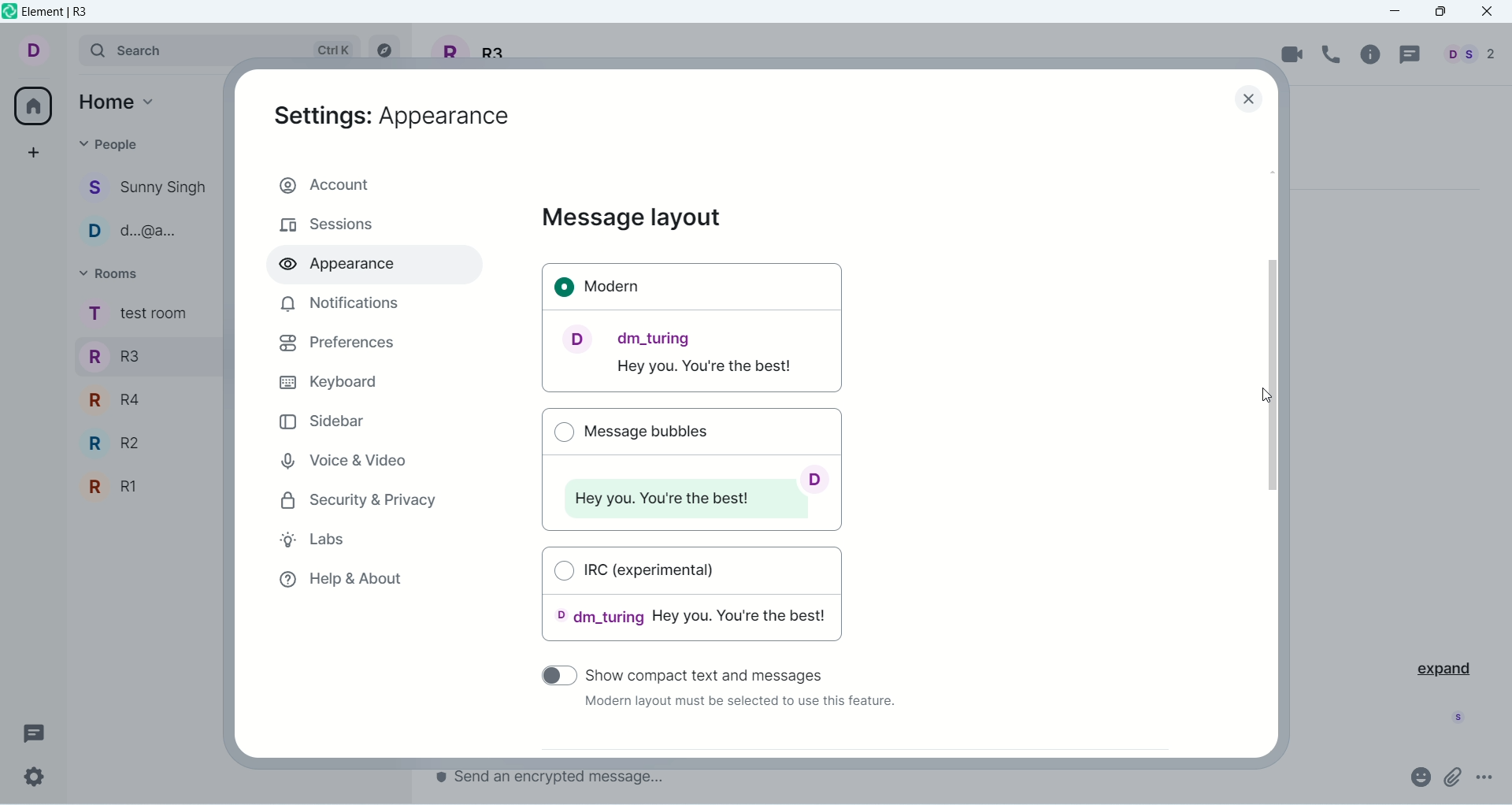 The image size is (1512, 805). Describe the element at coordinates (341, 458) in the screenshot. I see `voice and video` at that location.